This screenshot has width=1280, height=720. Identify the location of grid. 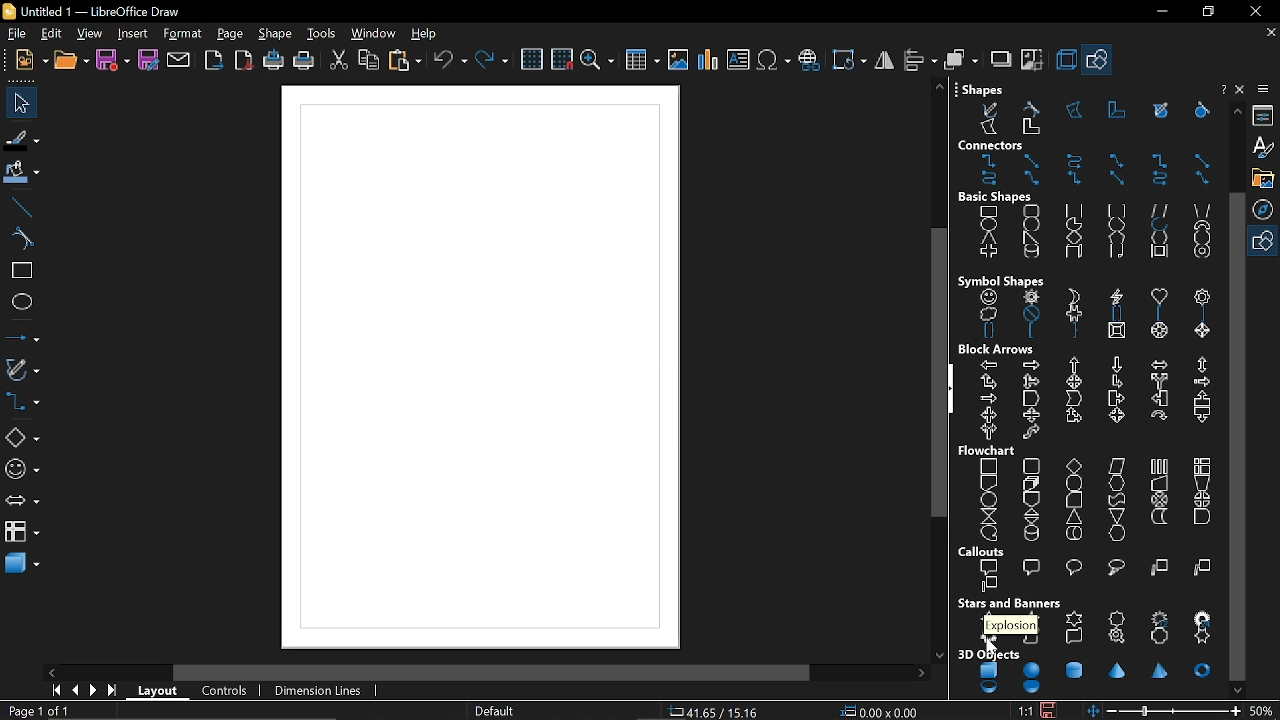
(534, 60).